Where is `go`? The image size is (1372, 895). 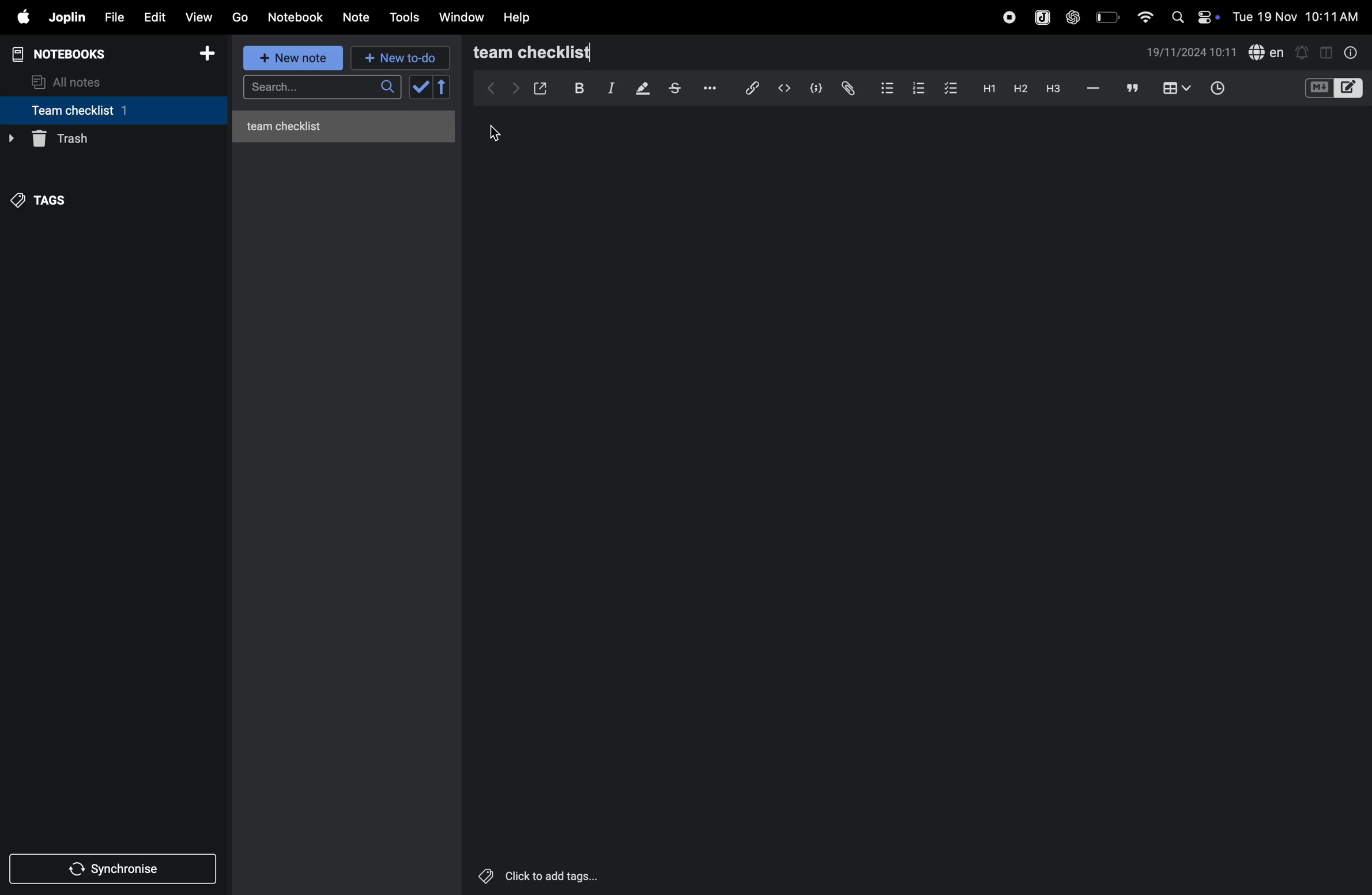 go is located at coordinates (240, 18).